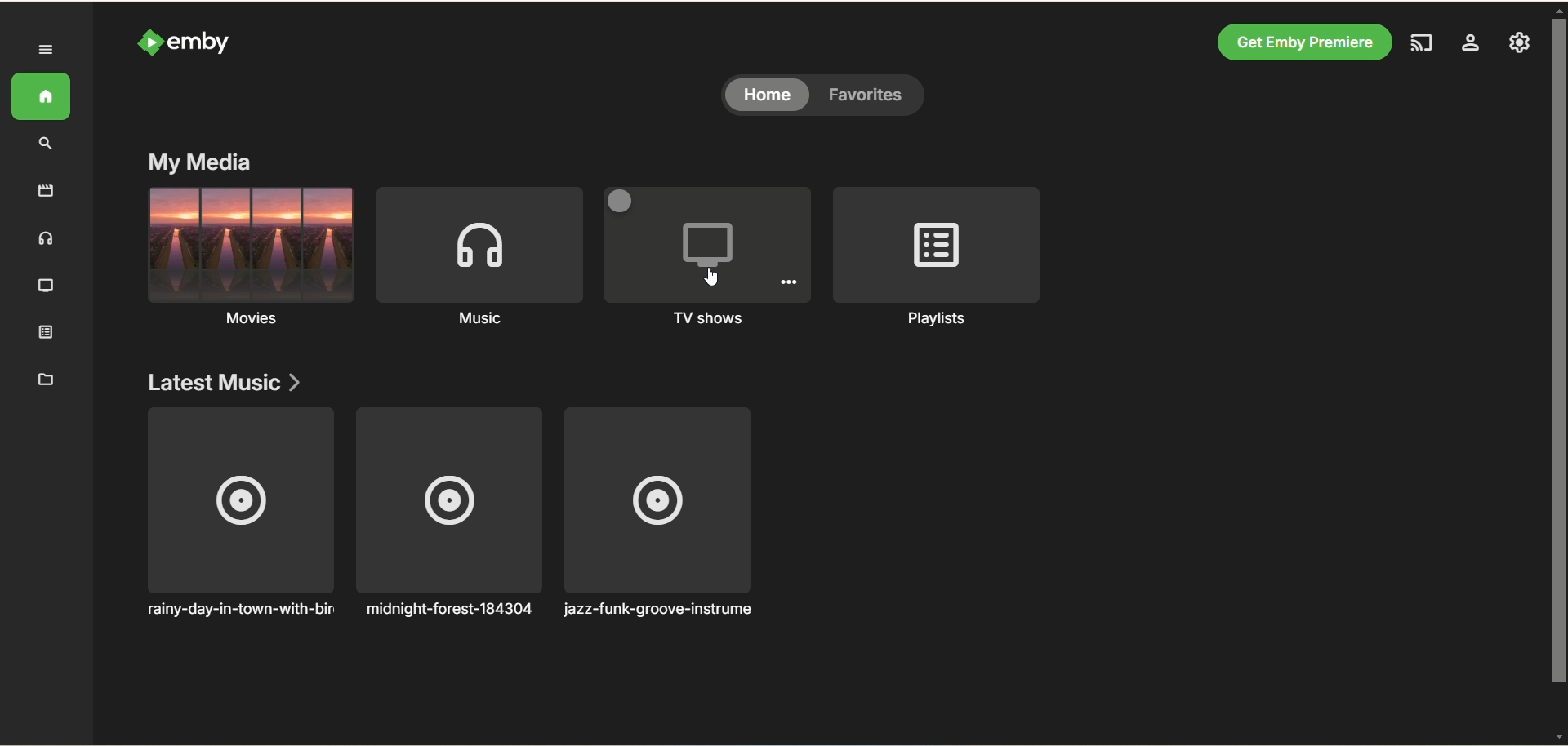  Describe the element at coordinates (1302, 42) in the screenshot. I see `get emby premiere` at that location.